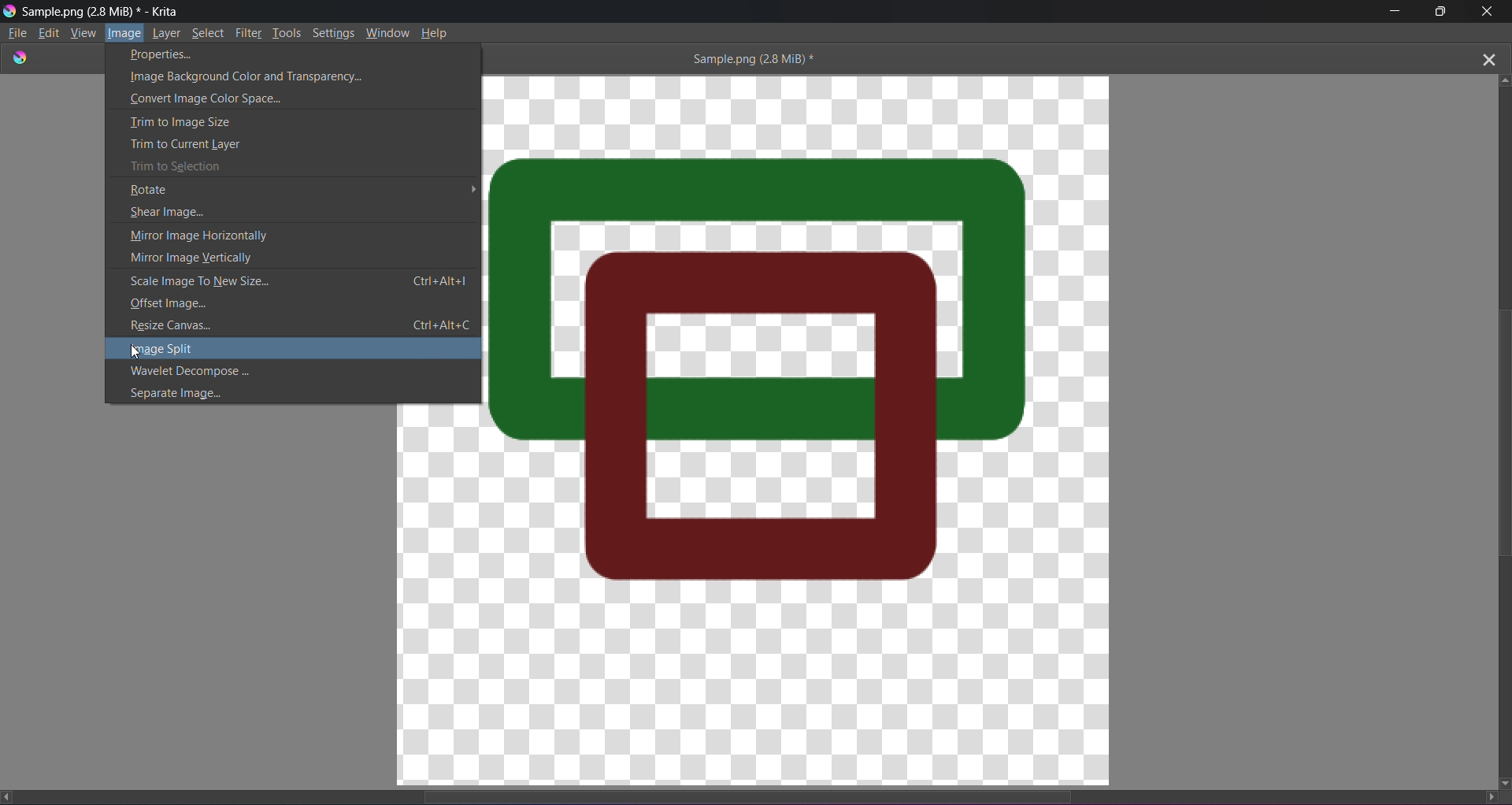  Describe the element at coordinates (302, 280) in the screenshot. I see `Scale Image To New Store` at that location.